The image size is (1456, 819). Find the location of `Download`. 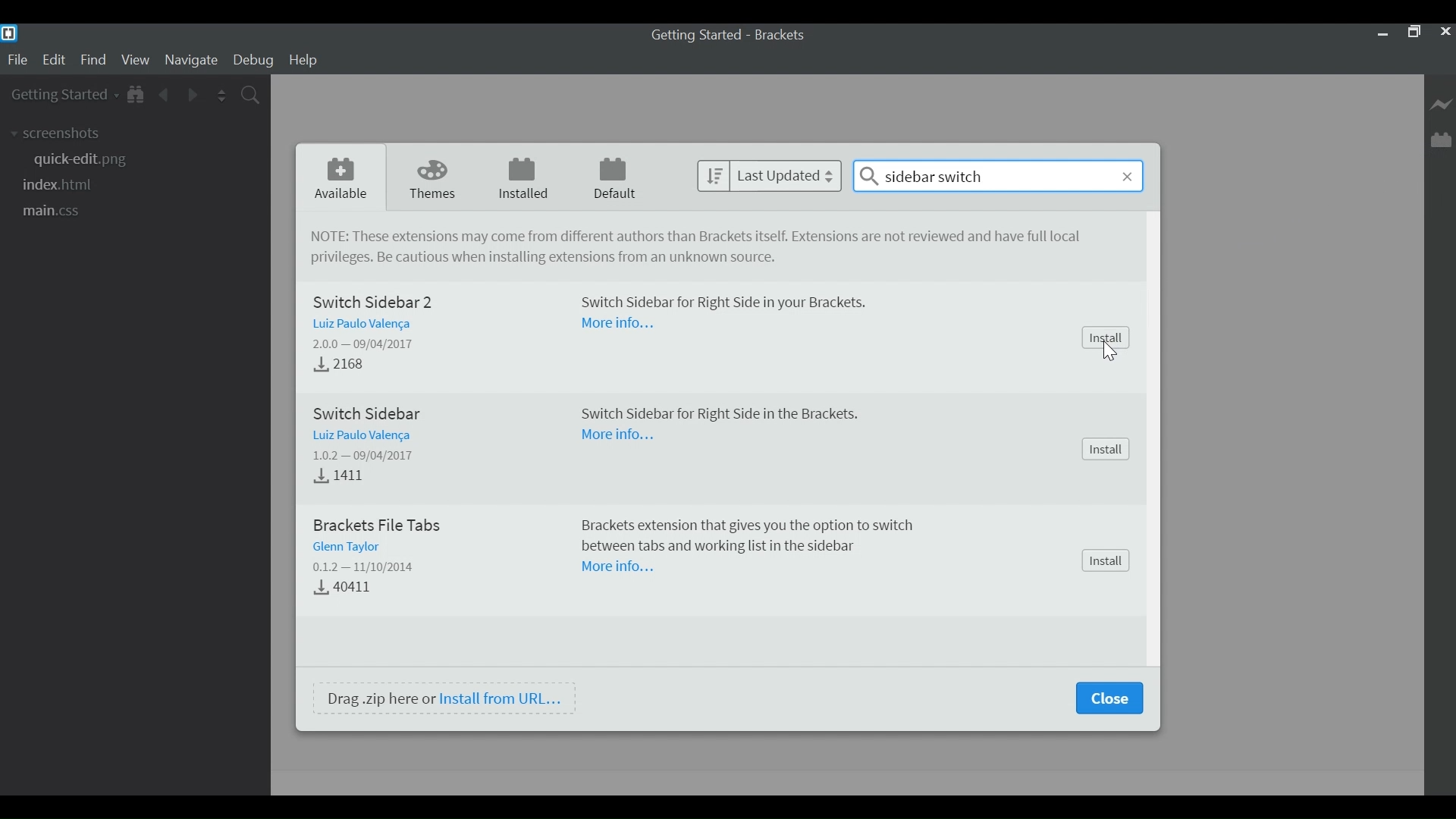

Download is located at coordinates (340, 364).